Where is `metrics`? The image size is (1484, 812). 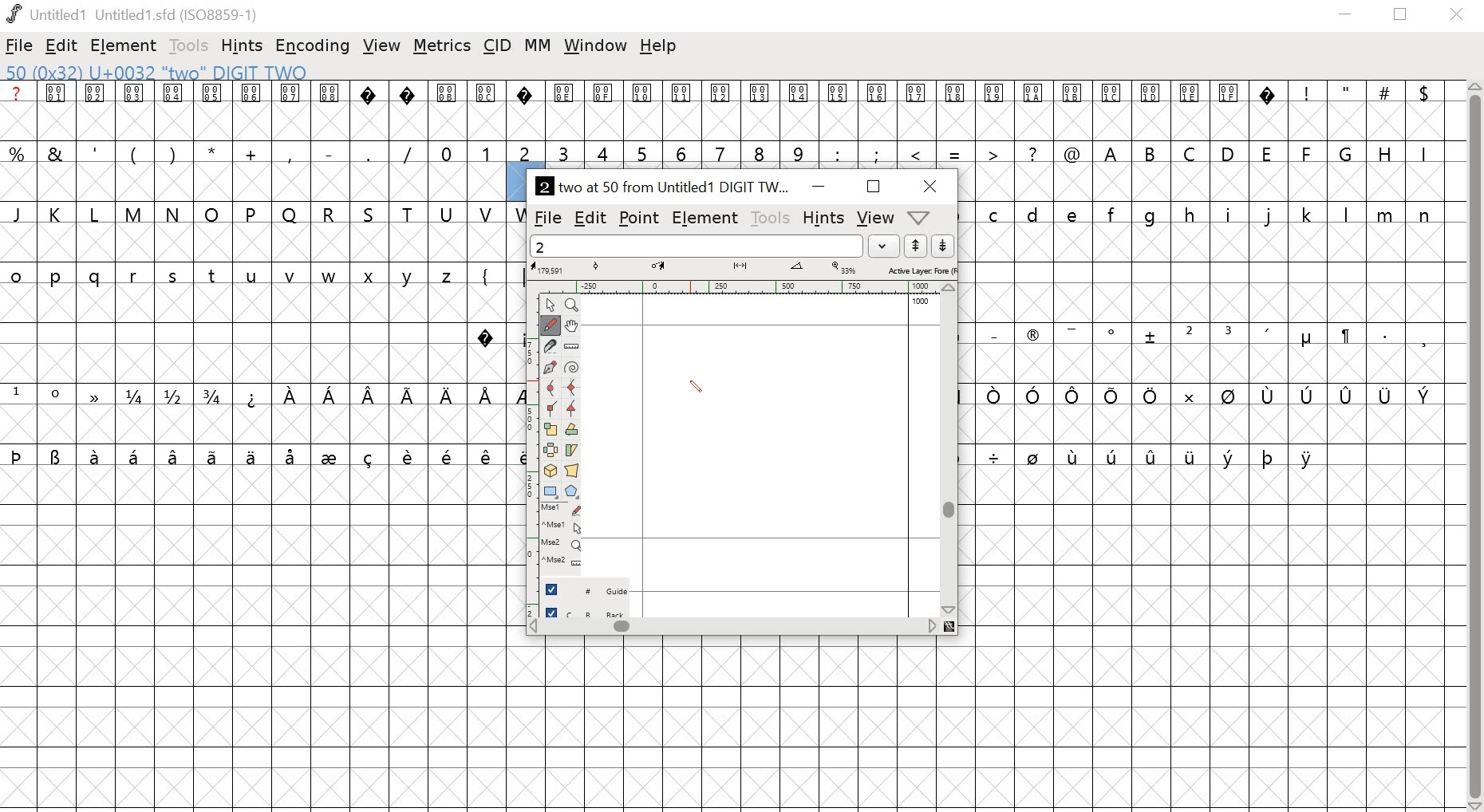 metrics is located at coordinates (443, 46).